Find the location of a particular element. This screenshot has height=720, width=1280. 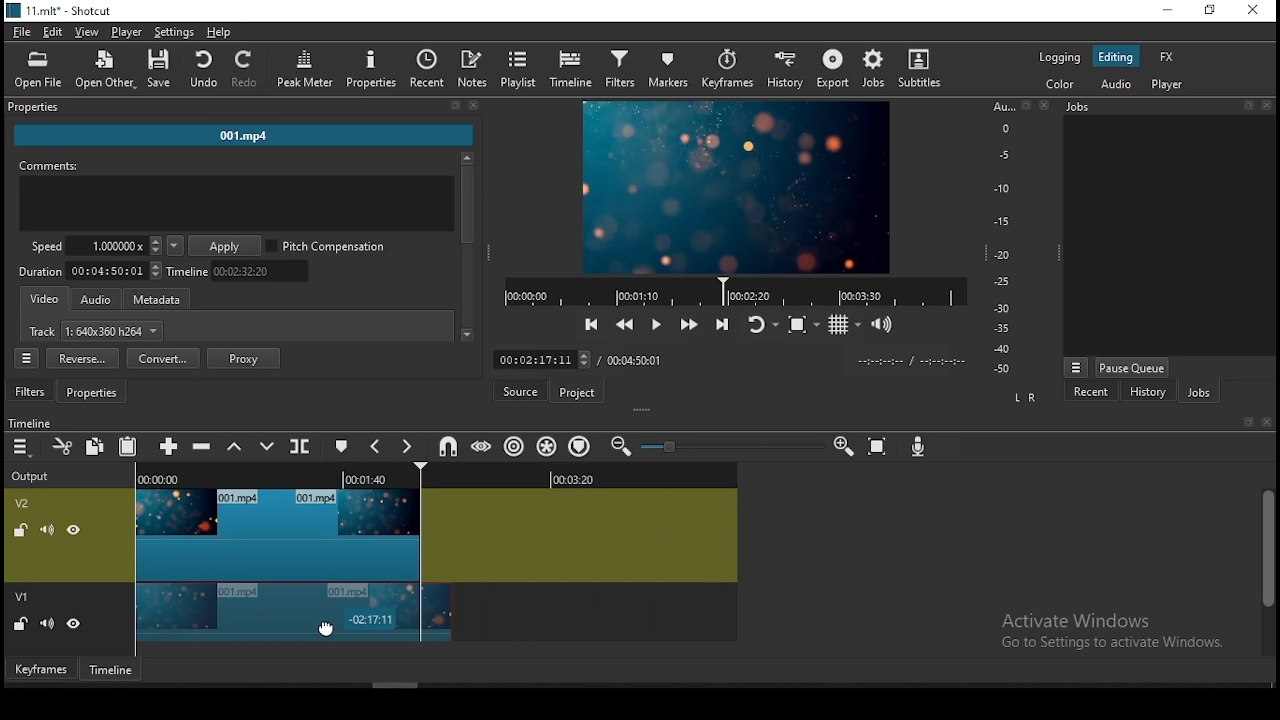

jobs is located at coordinates (878, 69).